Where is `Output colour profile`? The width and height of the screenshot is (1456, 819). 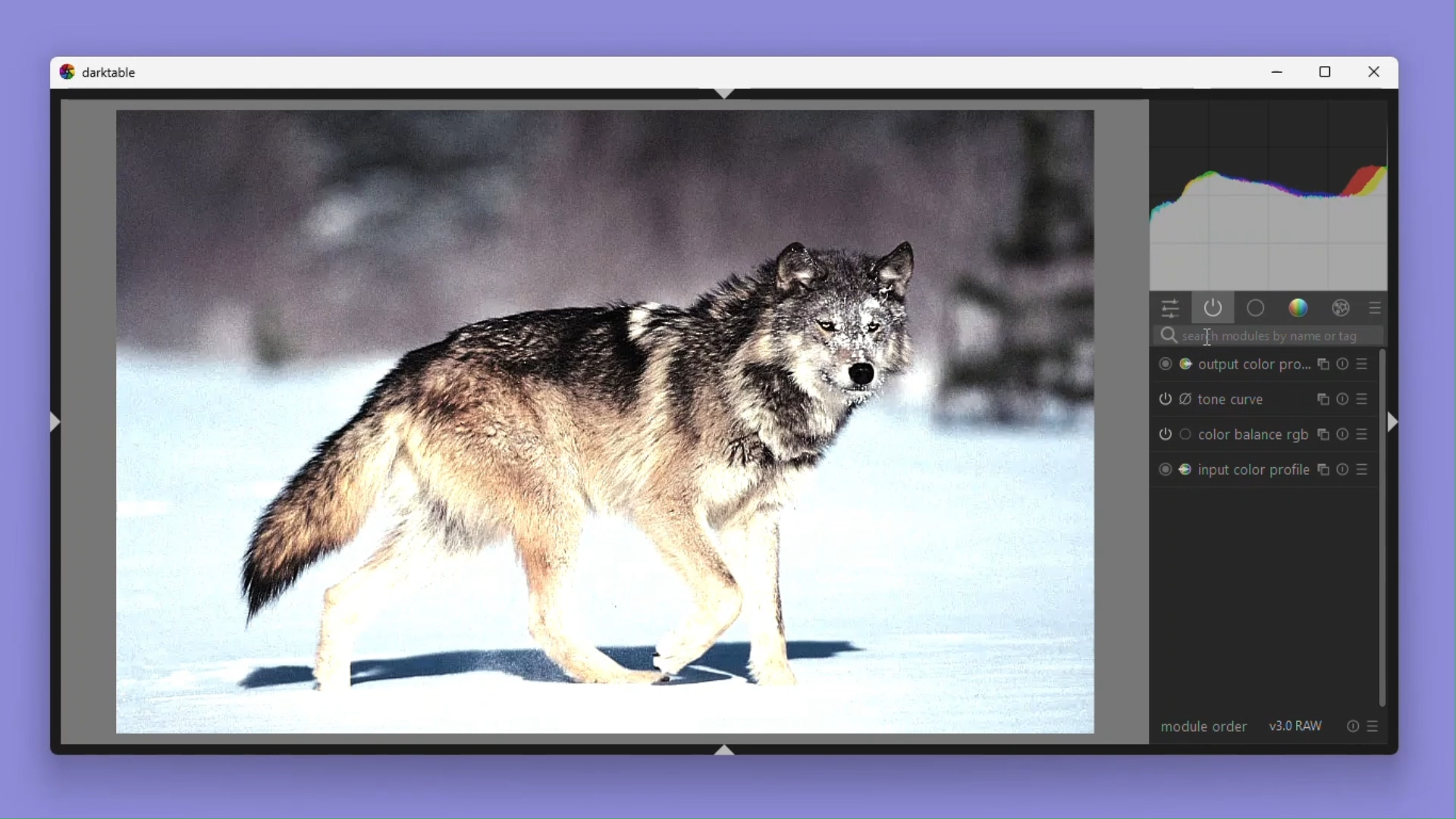
Output colour profile is located at coordinates (1232, 362).